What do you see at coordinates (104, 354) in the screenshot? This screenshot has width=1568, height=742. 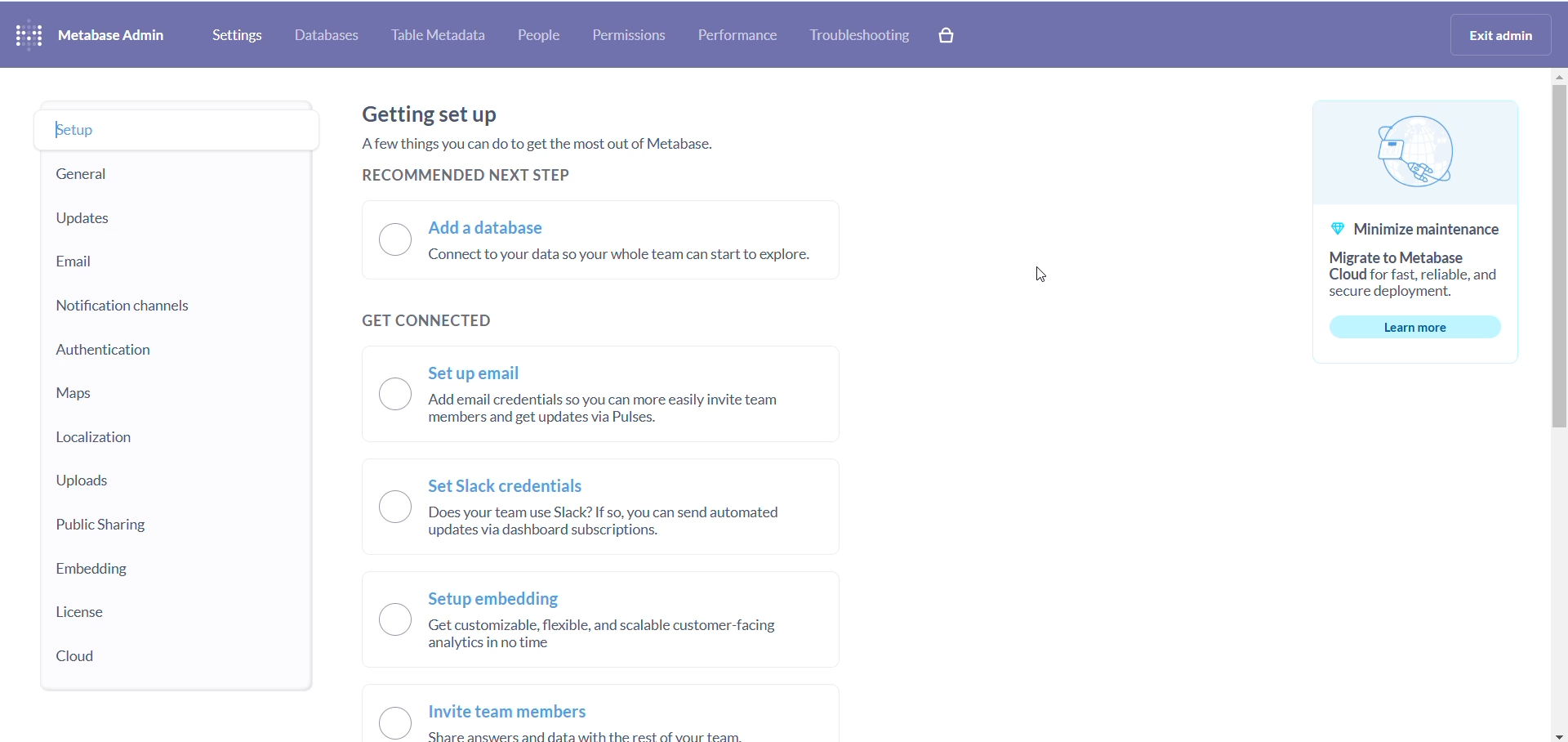 I see `authentication` at bounding box center [104, 354].